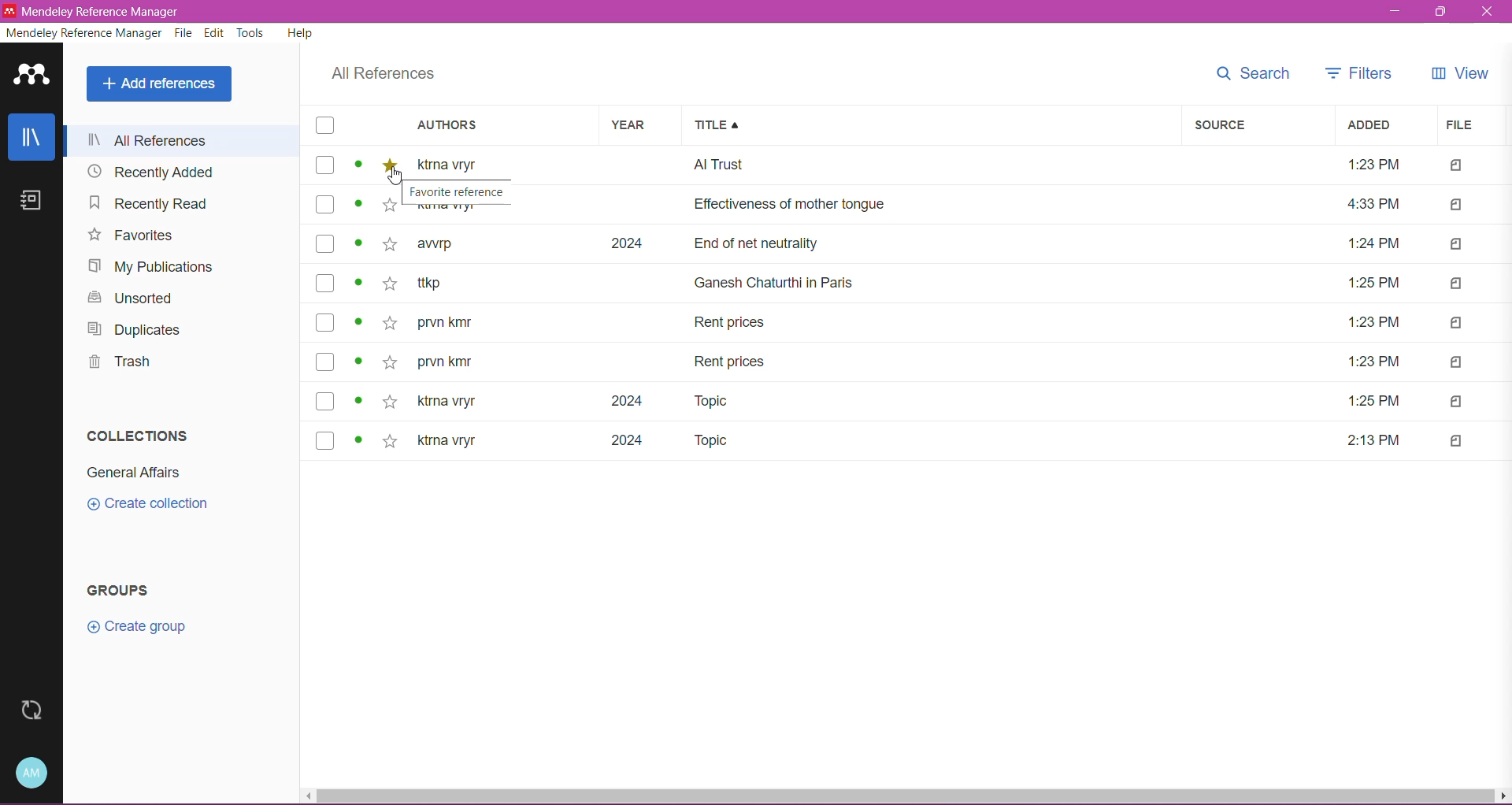 The width and height of the screenshot is (1512, 805). I want to click on Title Bar color change on Click, so click(779, 12).